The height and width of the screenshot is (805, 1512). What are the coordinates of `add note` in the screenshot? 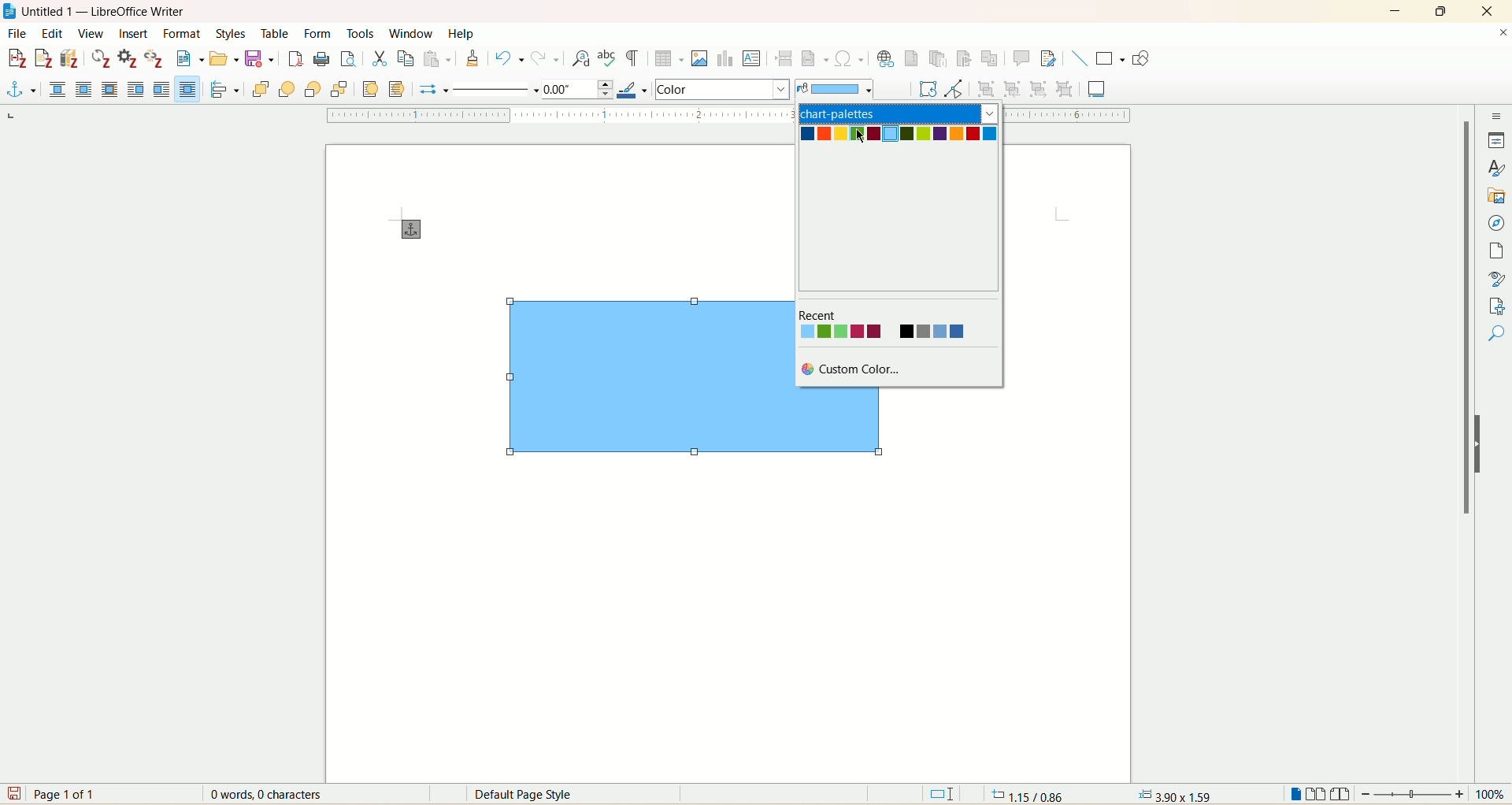 It's located at (44, 59).